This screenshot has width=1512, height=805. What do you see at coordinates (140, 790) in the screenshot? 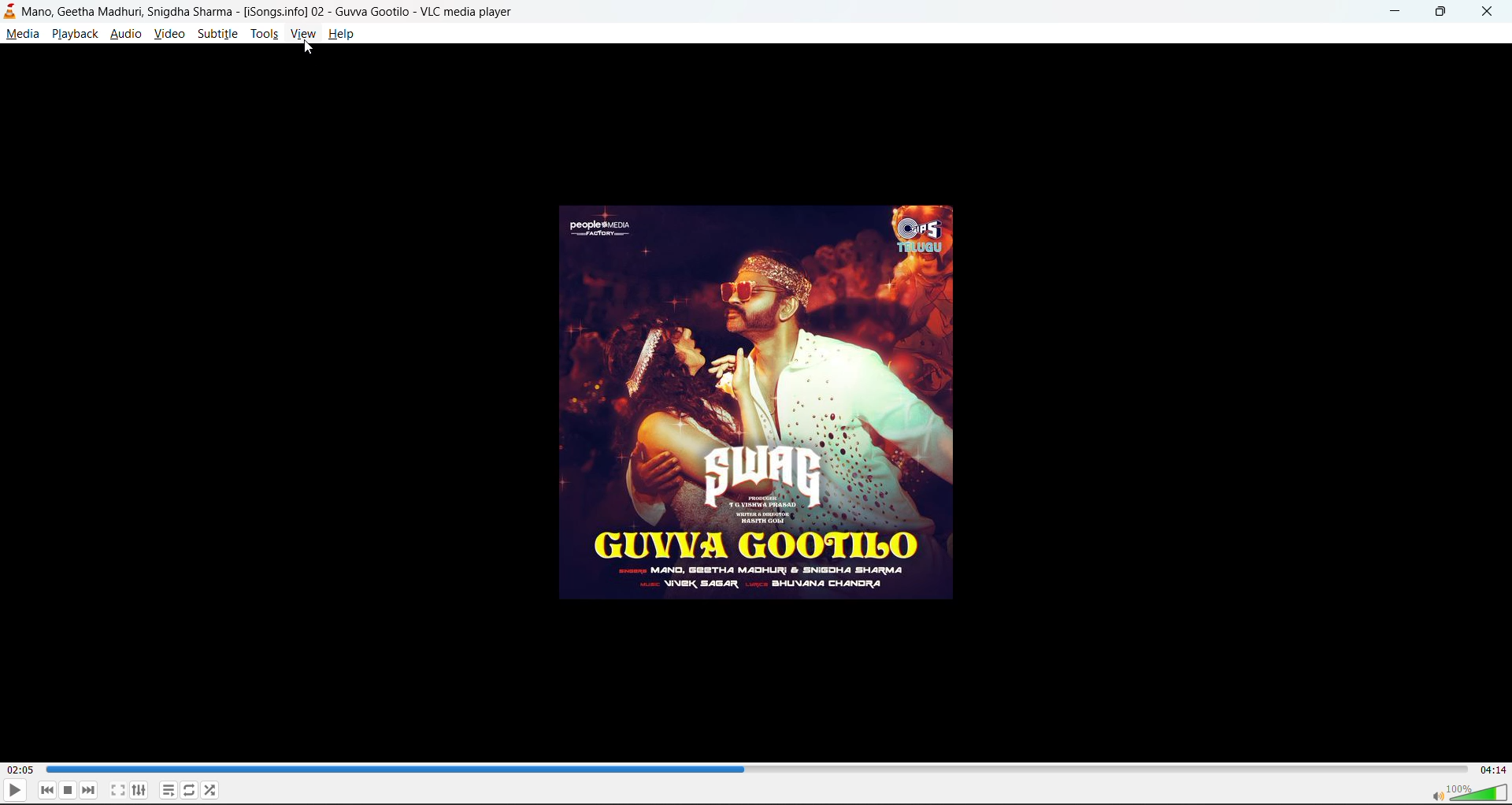
I see `settings` at bounding box center [140, 790].